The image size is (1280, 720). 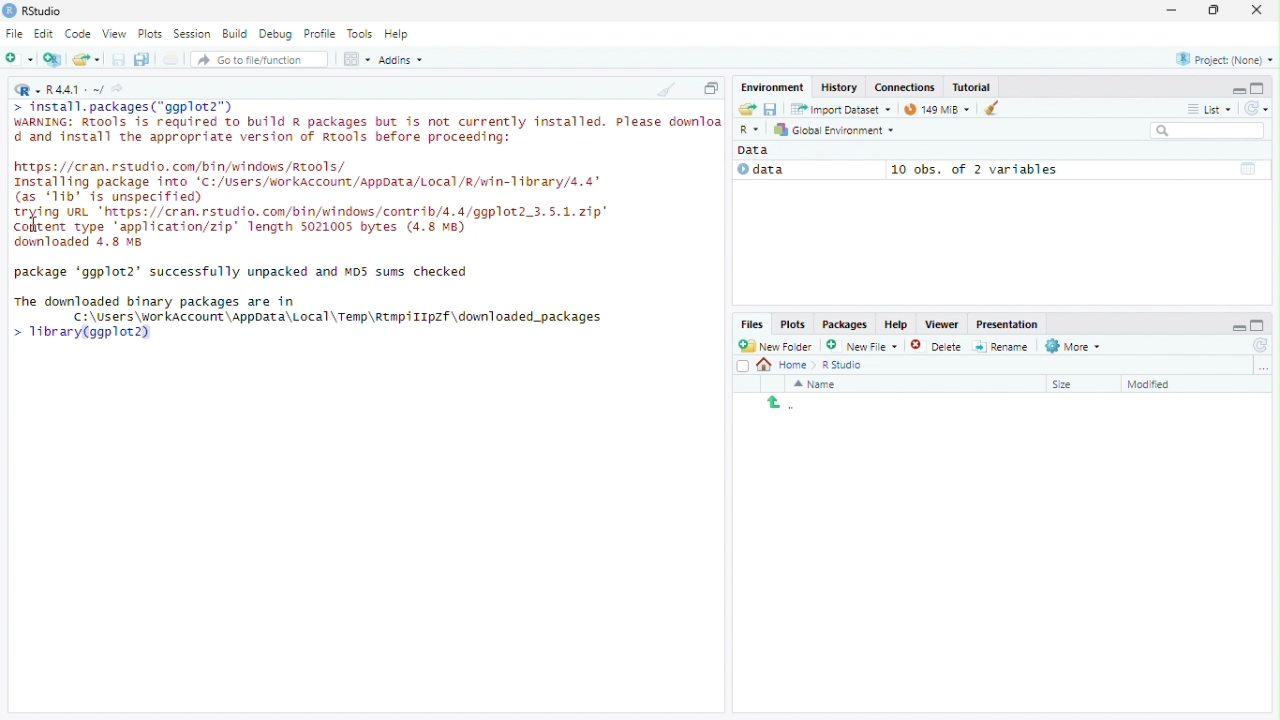 I want to click on Search, so click(x=1209, y=131).